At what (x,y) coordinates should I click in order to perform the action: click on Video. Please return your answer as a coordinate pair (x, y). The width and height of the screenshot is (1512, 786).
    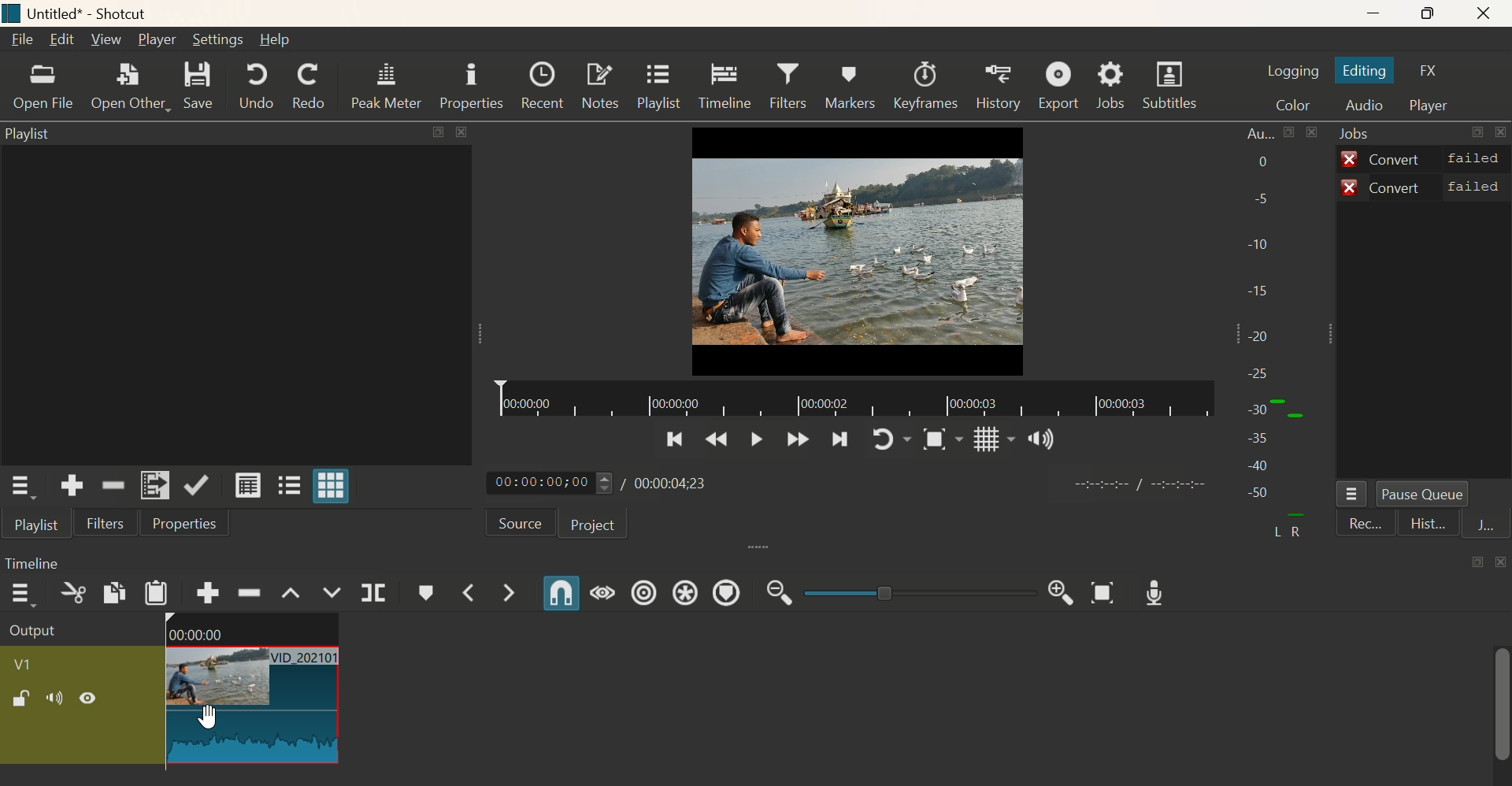
    Looking at the image, I should click on (859, 250).